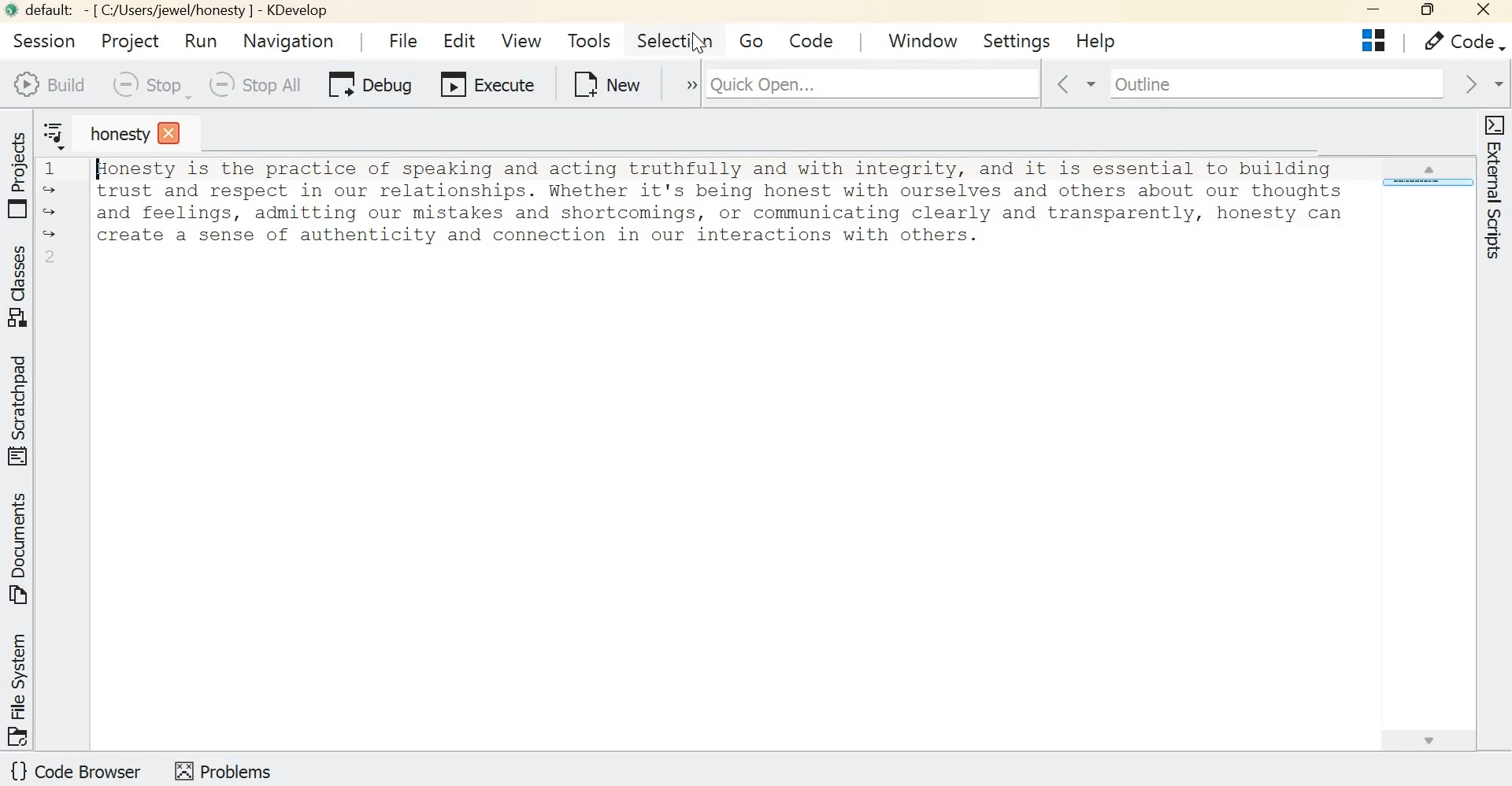 The image size is (1512, 786). Describe the element at coordinates (148, 85) in the screenshot. I see `Menu allowing to Stop all individual jobs` at that location.